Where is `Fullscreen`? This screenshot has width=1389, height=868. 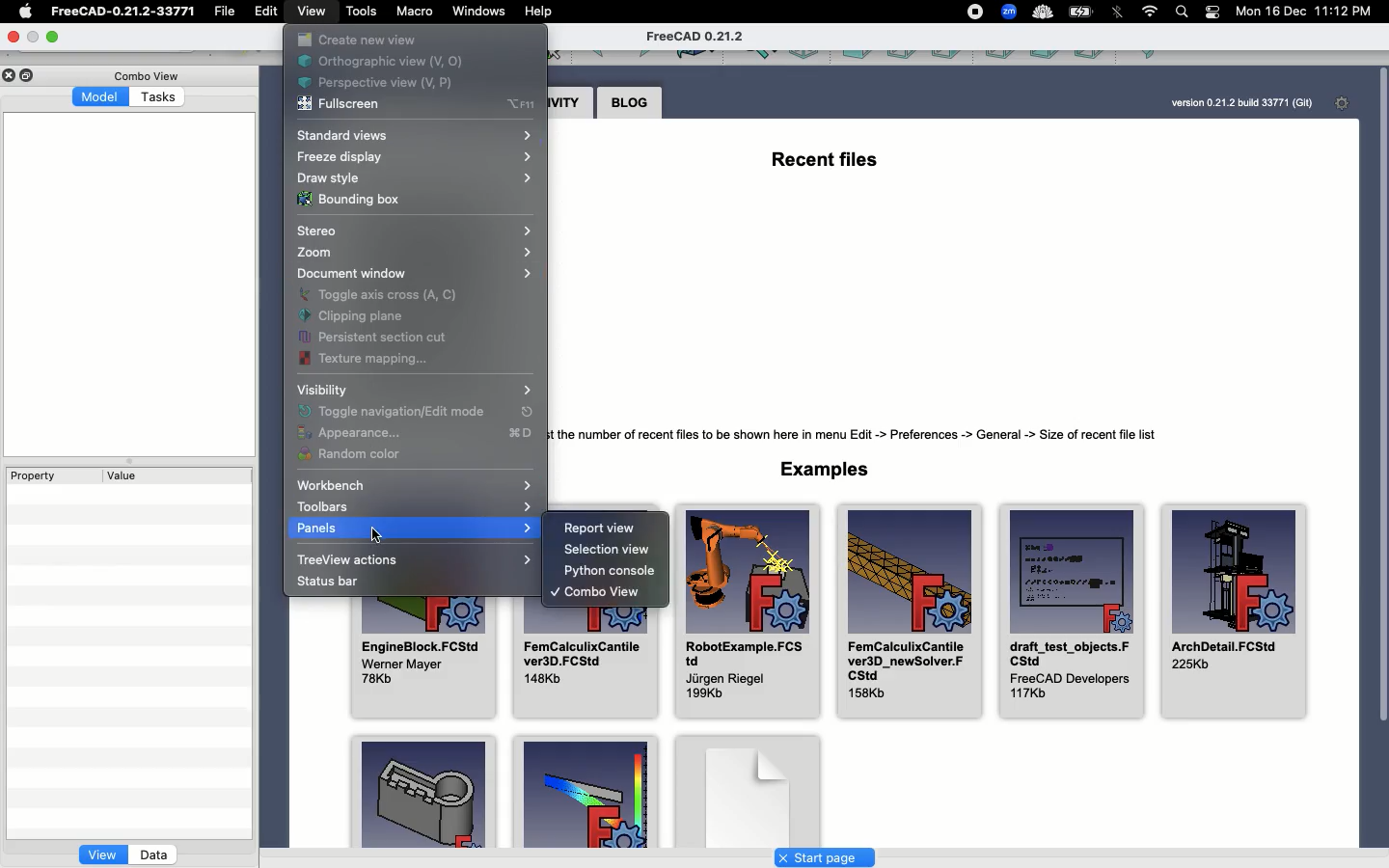 Fullscreen is located at coordinates (342, 105).